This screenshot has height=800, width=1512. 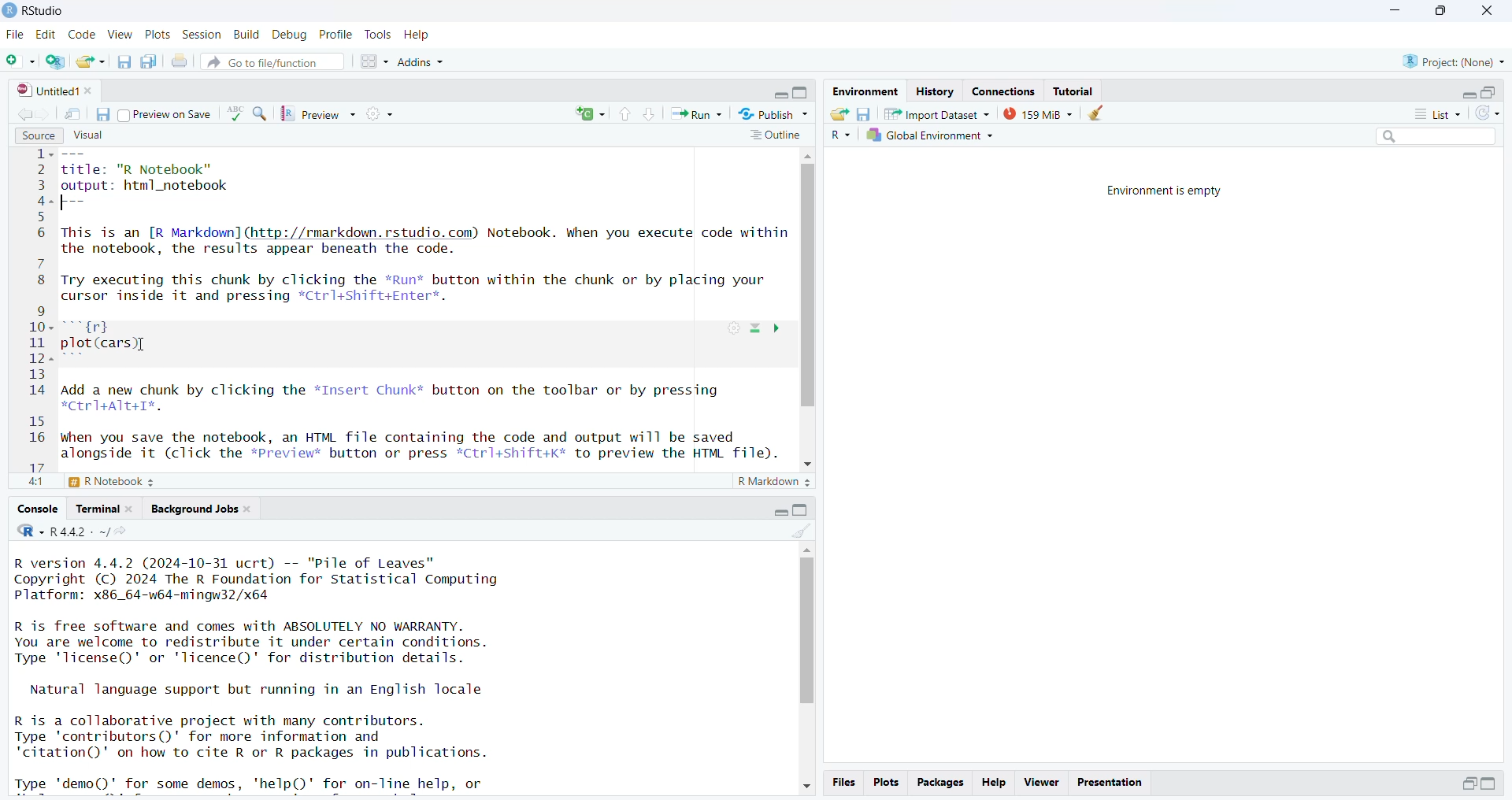 I want to click on rerun the previous code region, so click(x=589, y=114).